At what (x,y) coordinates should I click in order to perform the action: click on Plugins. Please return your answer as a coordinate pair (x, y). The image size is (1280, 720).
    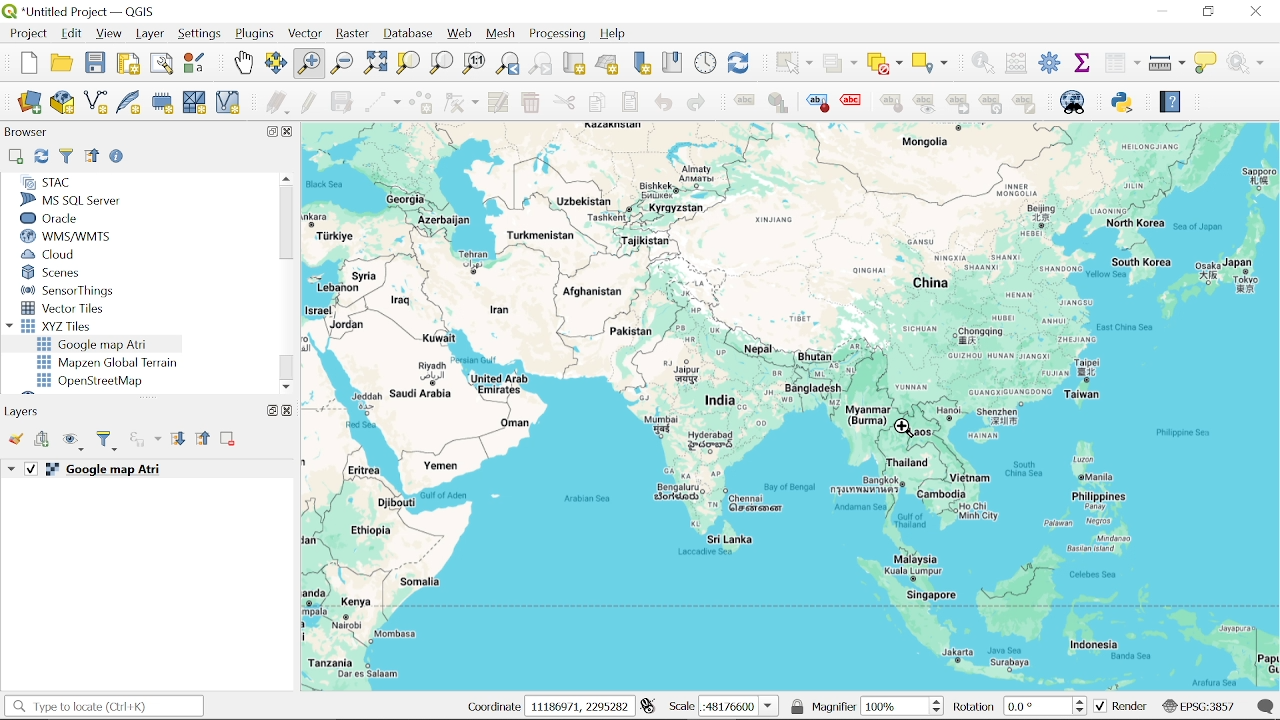
    Looking at the image, I should click on (256, 35).